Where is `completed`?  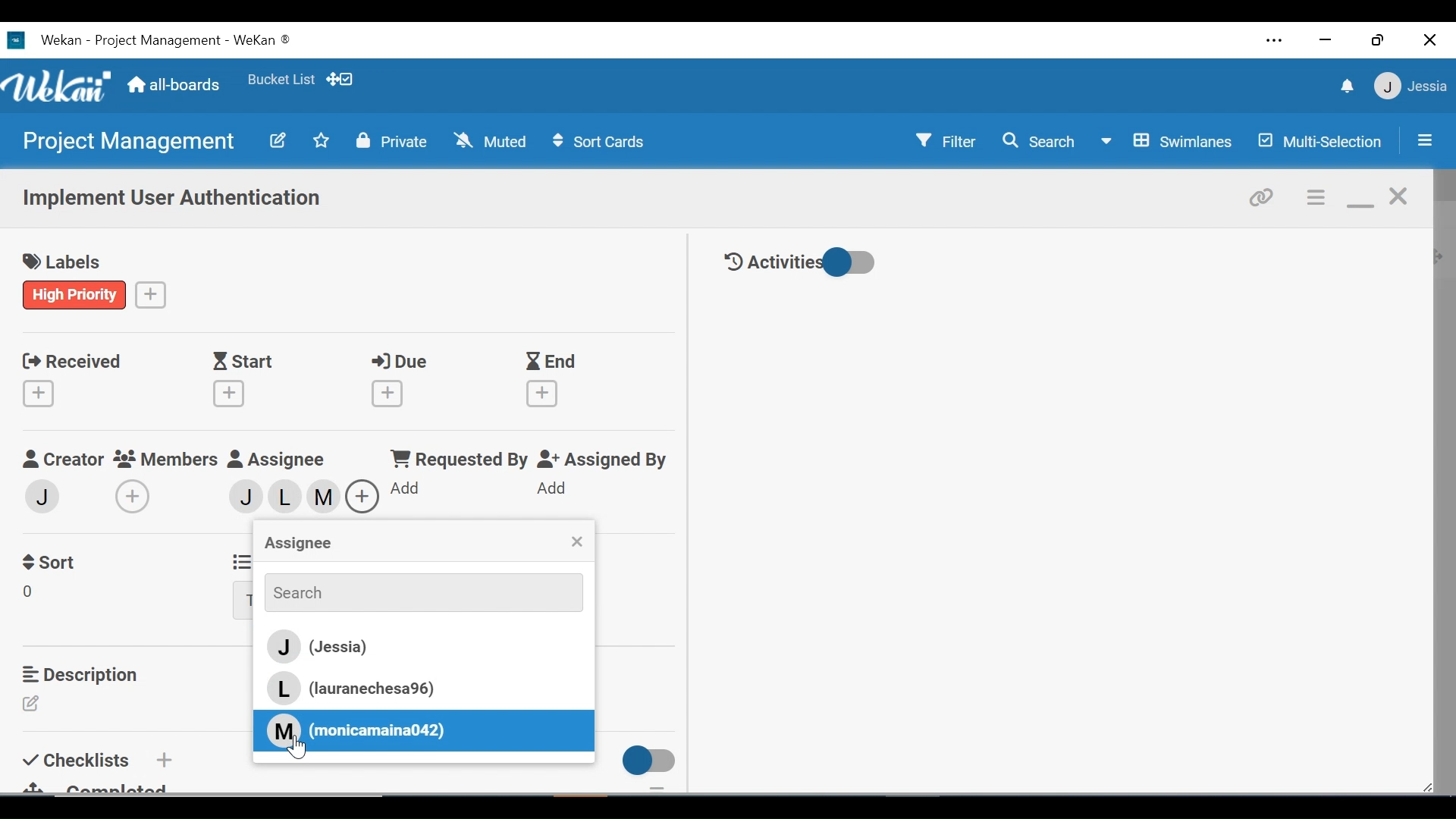 completed is located at coordinates (105, 786).